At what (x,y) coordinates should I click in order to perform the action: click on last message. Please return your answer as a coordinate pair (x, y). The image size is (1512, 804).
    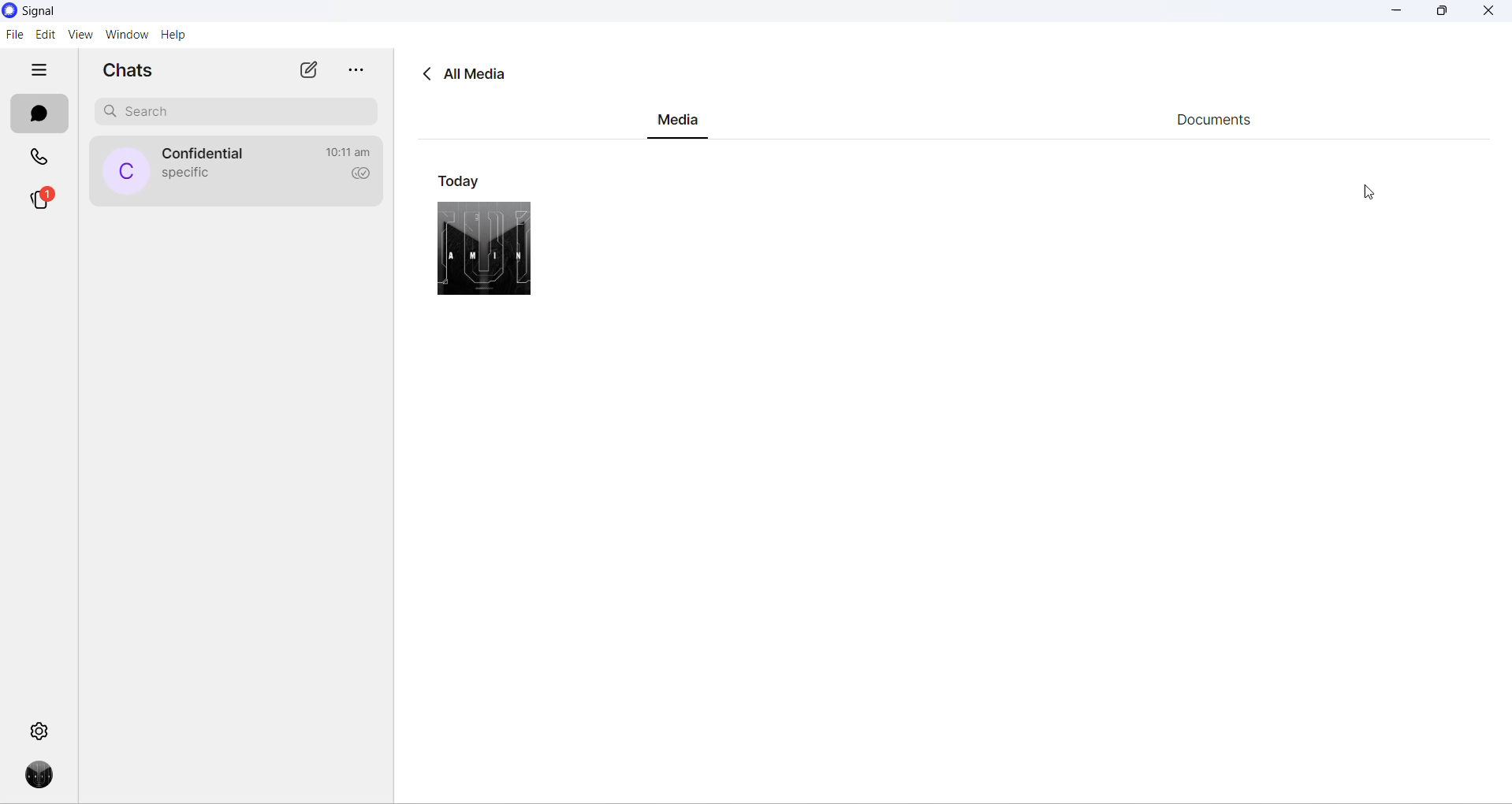
    Looking at the image, I should click on (183, 175).